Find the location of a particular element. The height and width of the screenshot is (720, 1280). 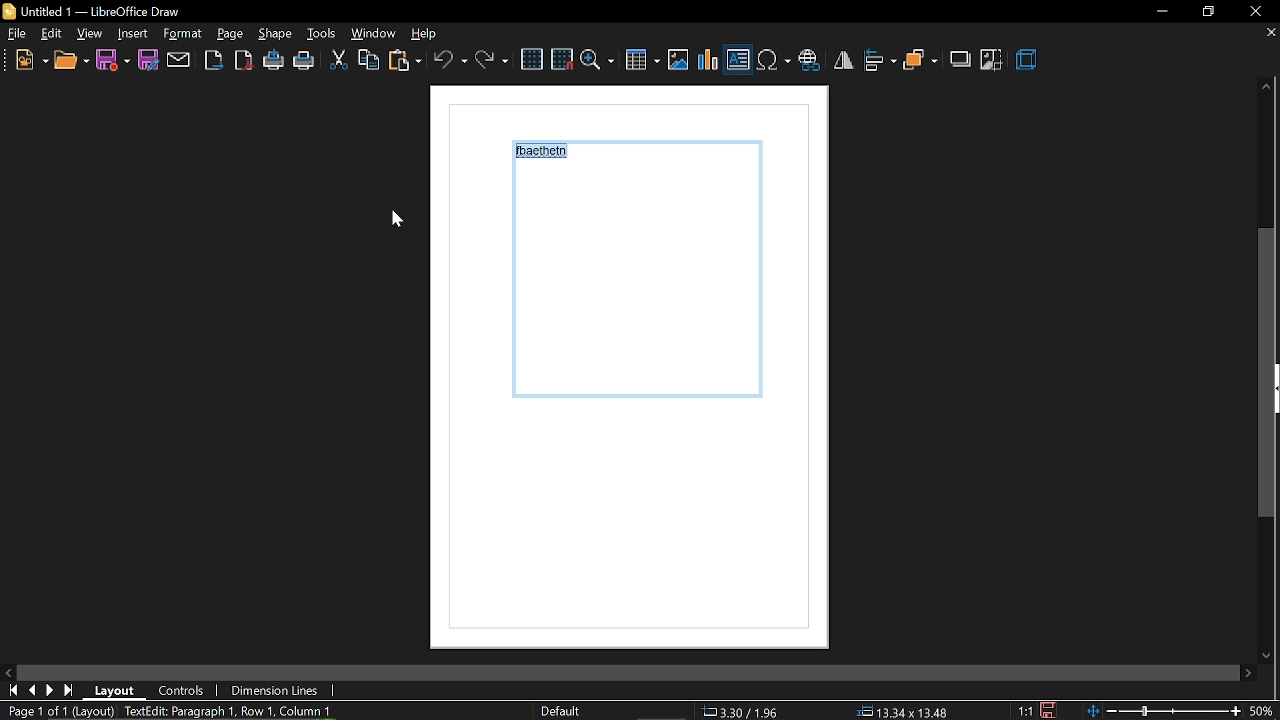

scaling factor (1:1) is located at coordinates (1025, 709).